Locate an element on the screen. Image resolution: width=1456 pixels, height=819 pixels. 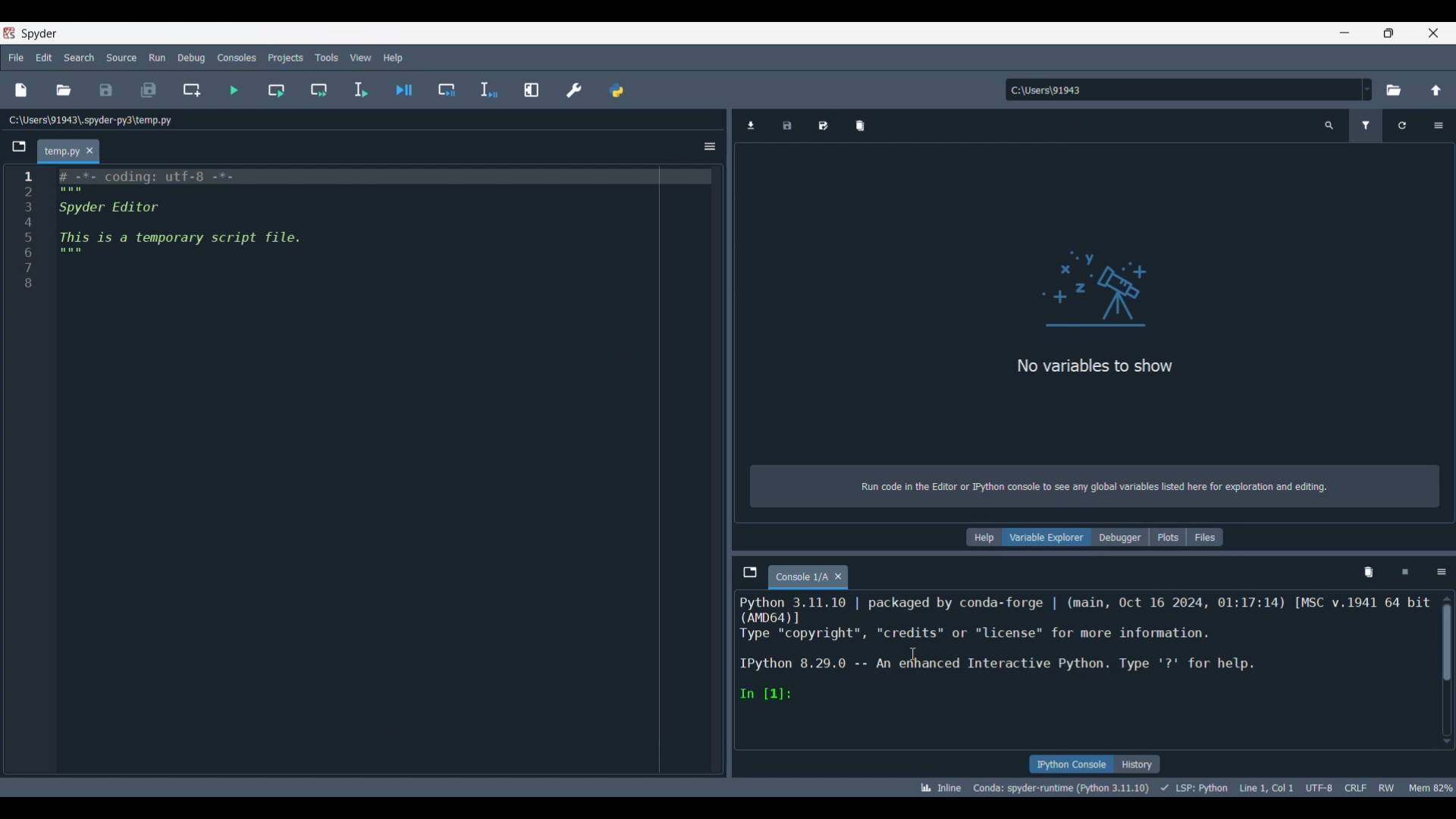
Close tab is located at coordinates (839, 576).